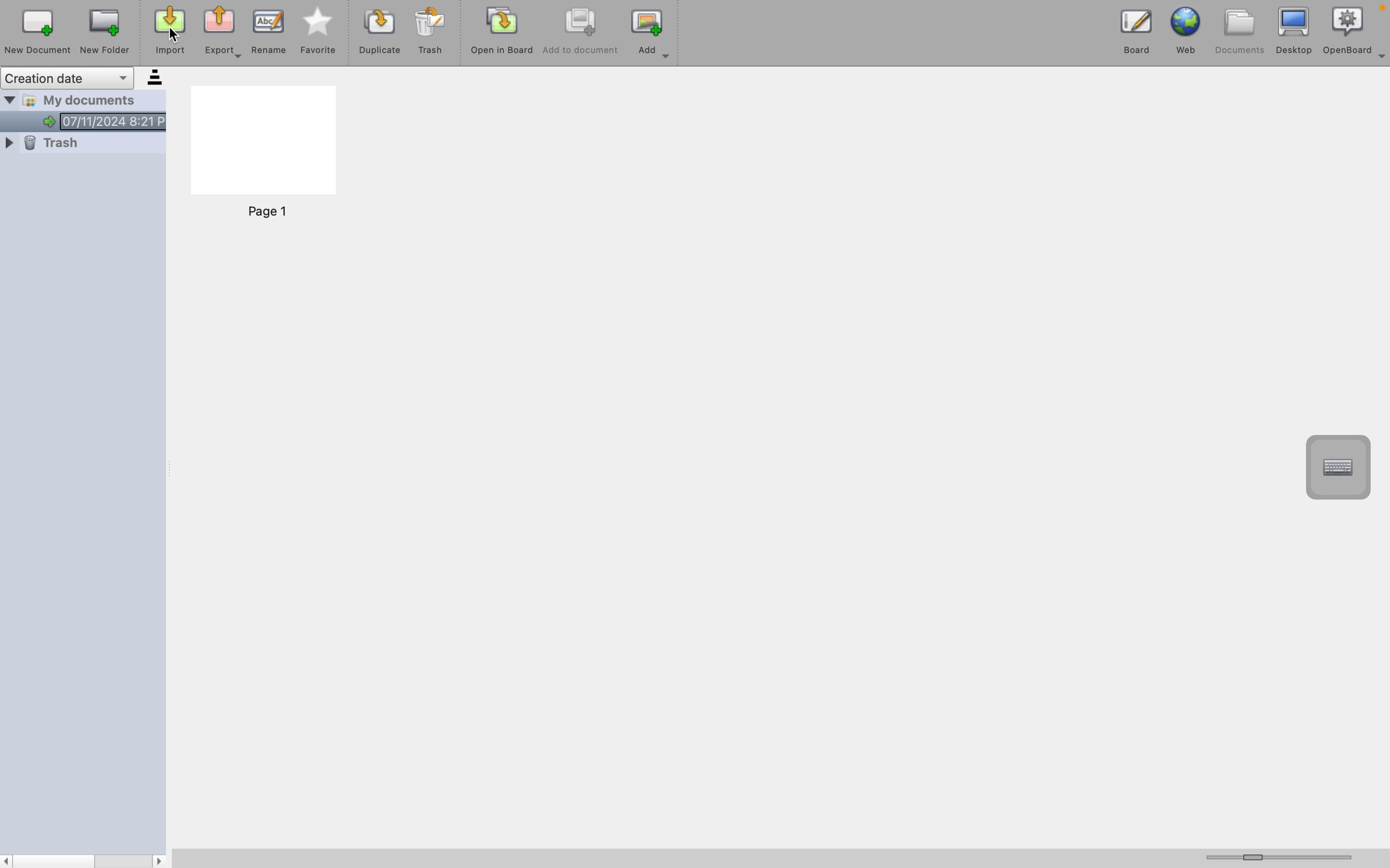  What do you see at coordinates (1128, 29) in the screenshot?
I see `board` at bounding box center [1128, 29].